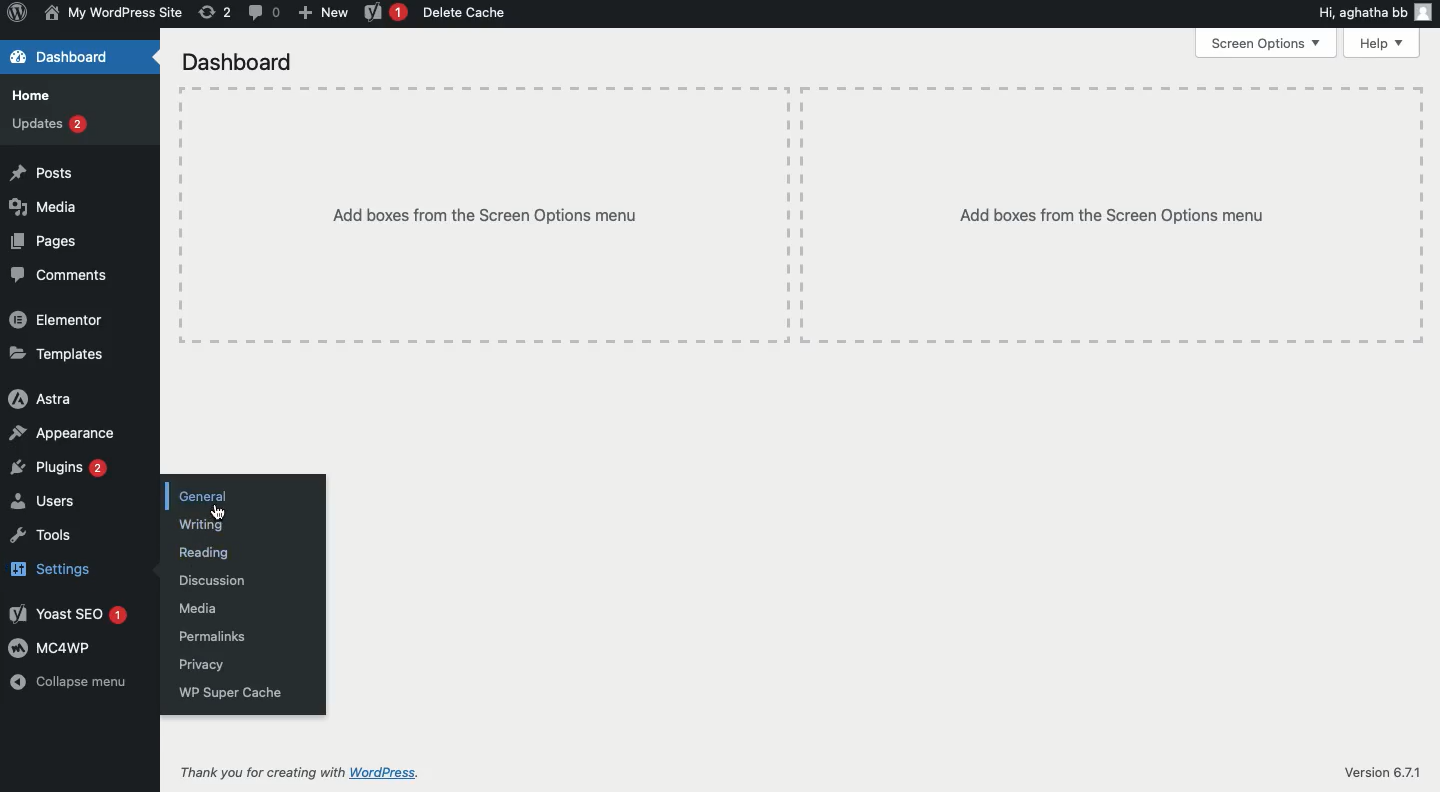 This screenshot has height=792, width=1440. I want to click on Comments, so click(60, 274).